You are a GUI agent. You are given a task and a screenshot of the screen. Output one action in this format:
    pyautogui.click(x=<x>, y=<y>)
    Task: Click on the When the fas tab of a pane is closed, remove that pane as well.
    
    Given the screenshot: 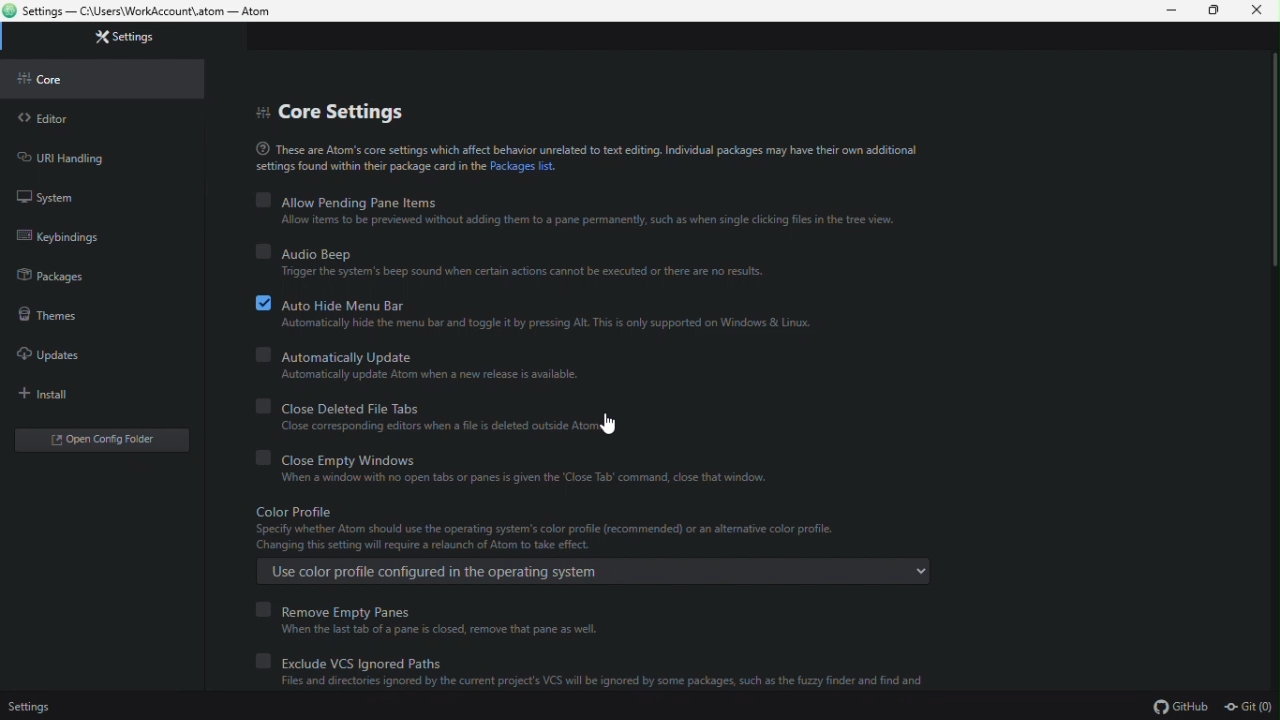 What is the action you would take?
    pyautogui.click(x=423, y=631)
    